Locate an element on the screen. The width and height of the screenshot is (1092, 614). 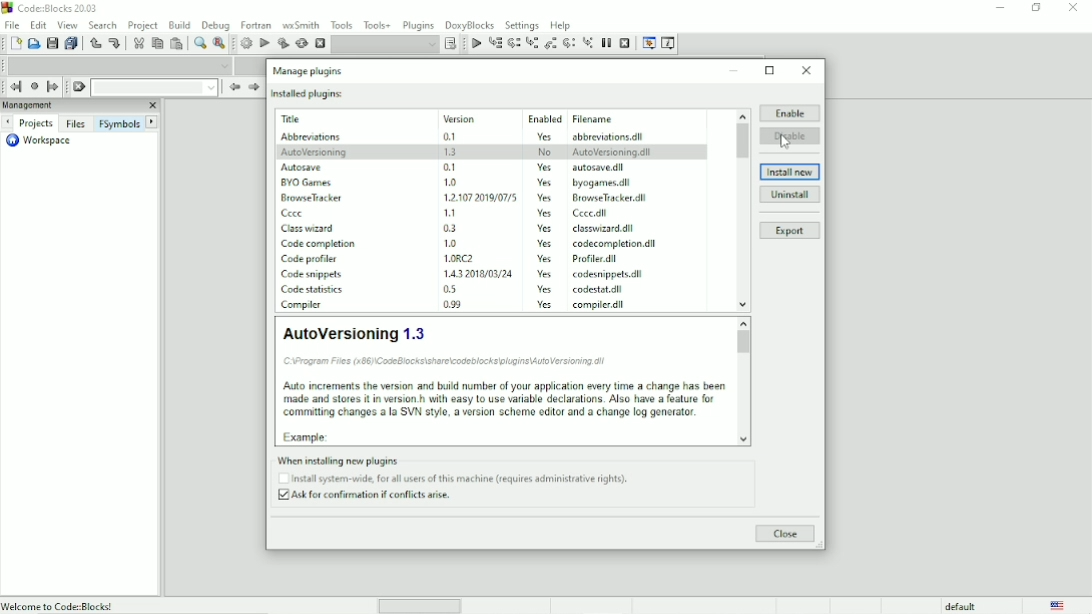
Prev is located at coordinates (233, 88).